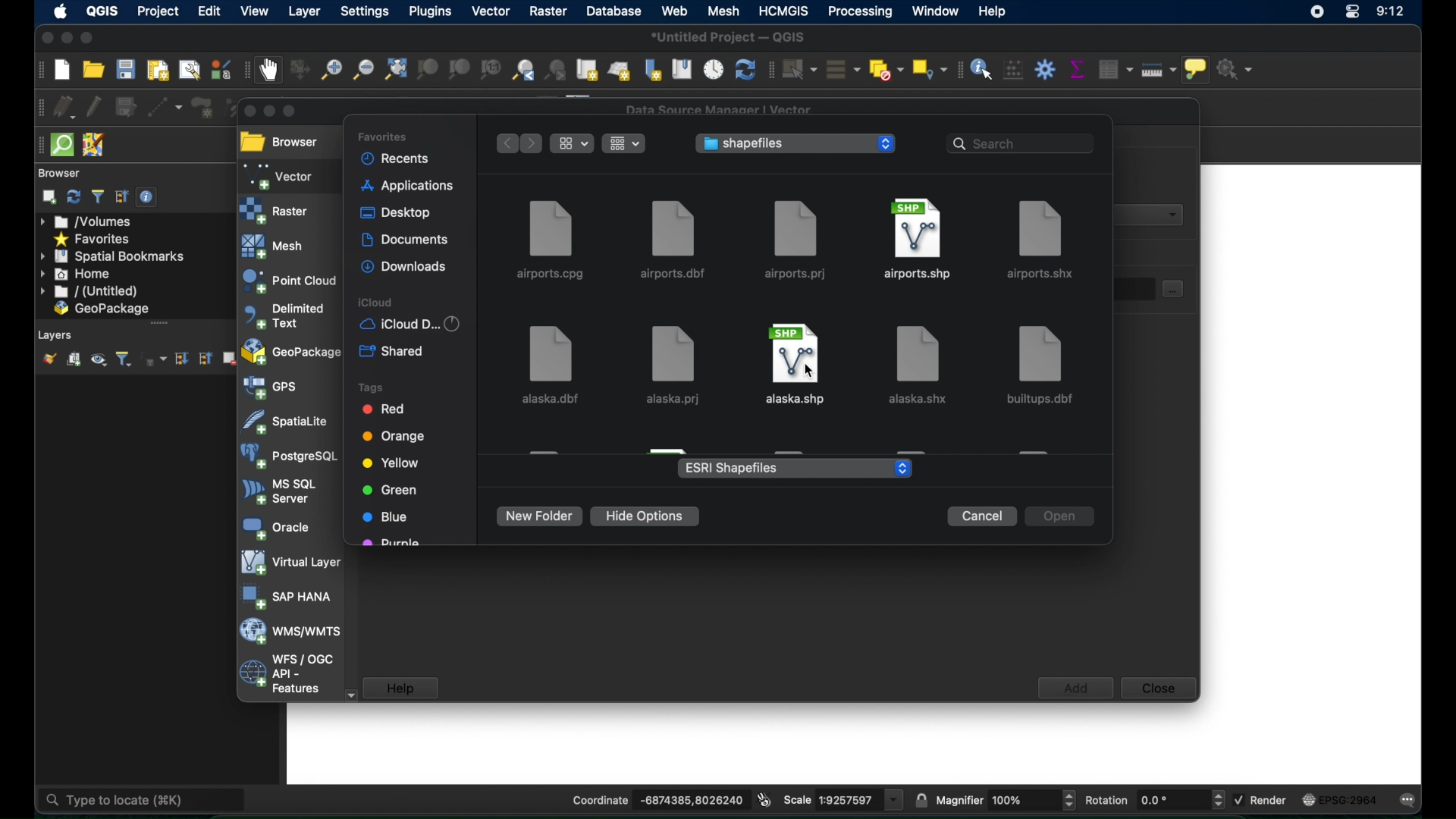 The width and height of the screenshot is (1456, 819). What do you see at coordinates (102, 309) in the screenshot?
I see `geopackage` at bounding box center [102, 309].